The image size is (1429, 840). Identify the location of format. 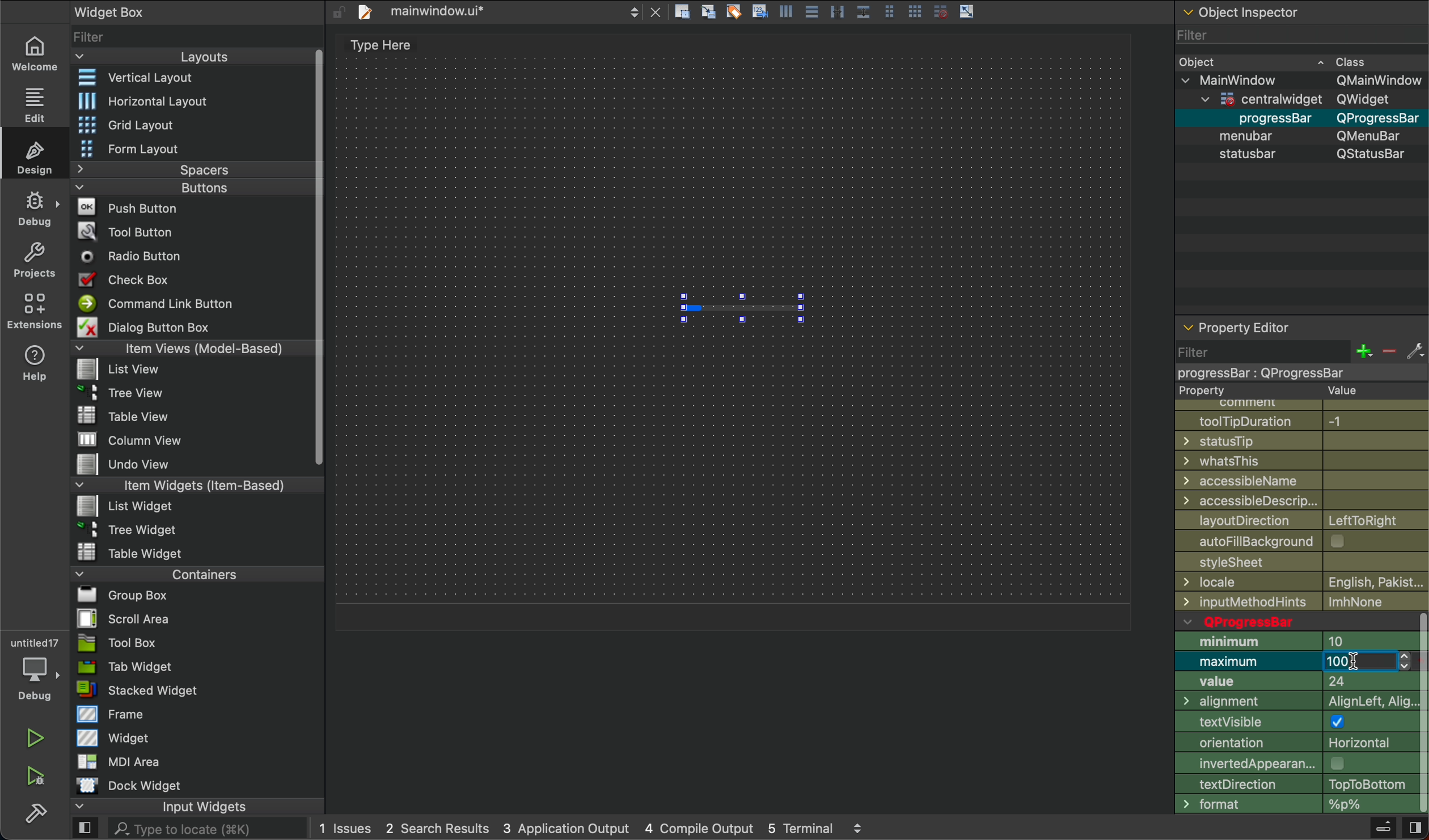
(1292, 805).